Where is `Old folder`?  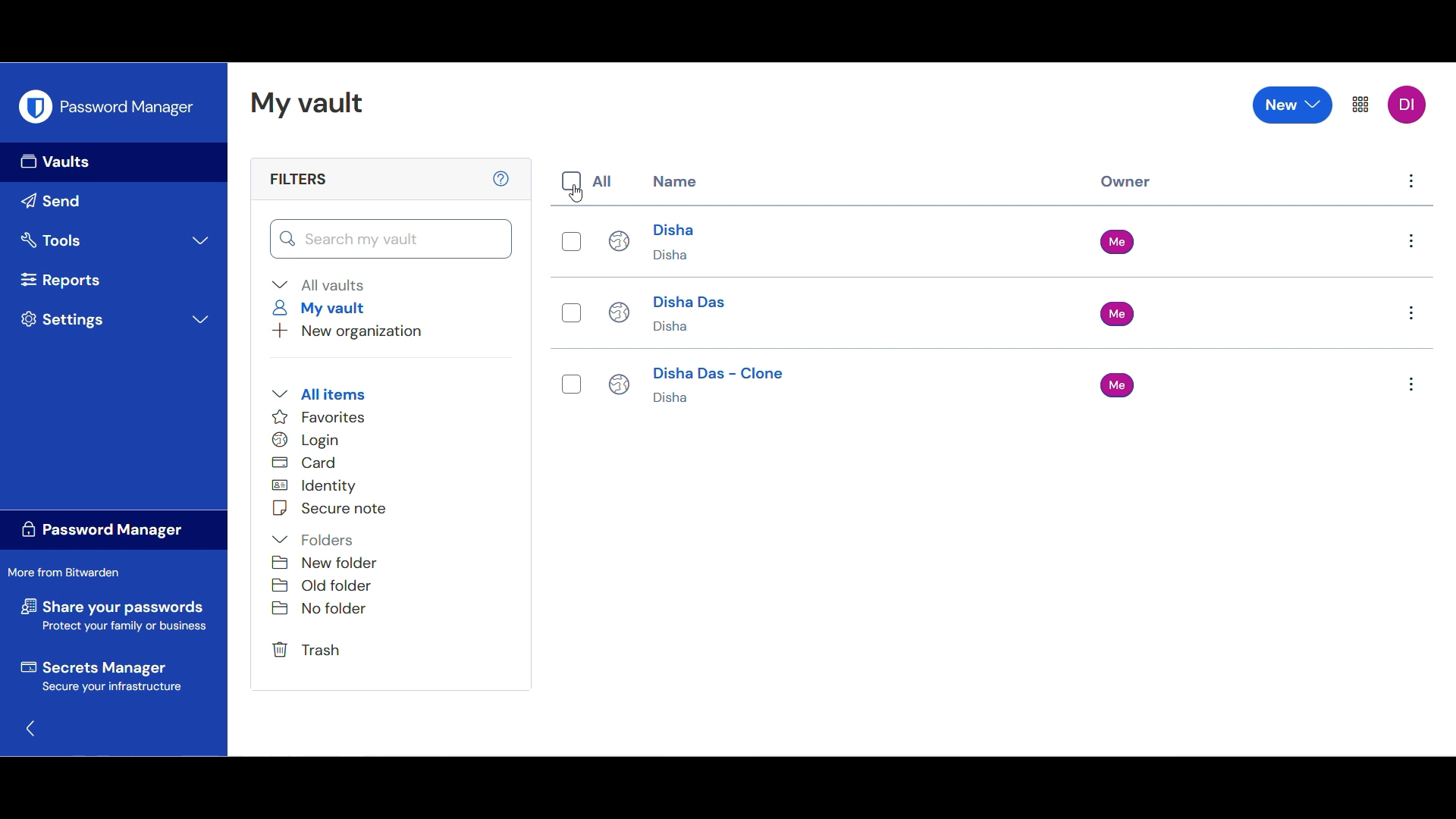
Old folder is located at coordinates (324, 585).